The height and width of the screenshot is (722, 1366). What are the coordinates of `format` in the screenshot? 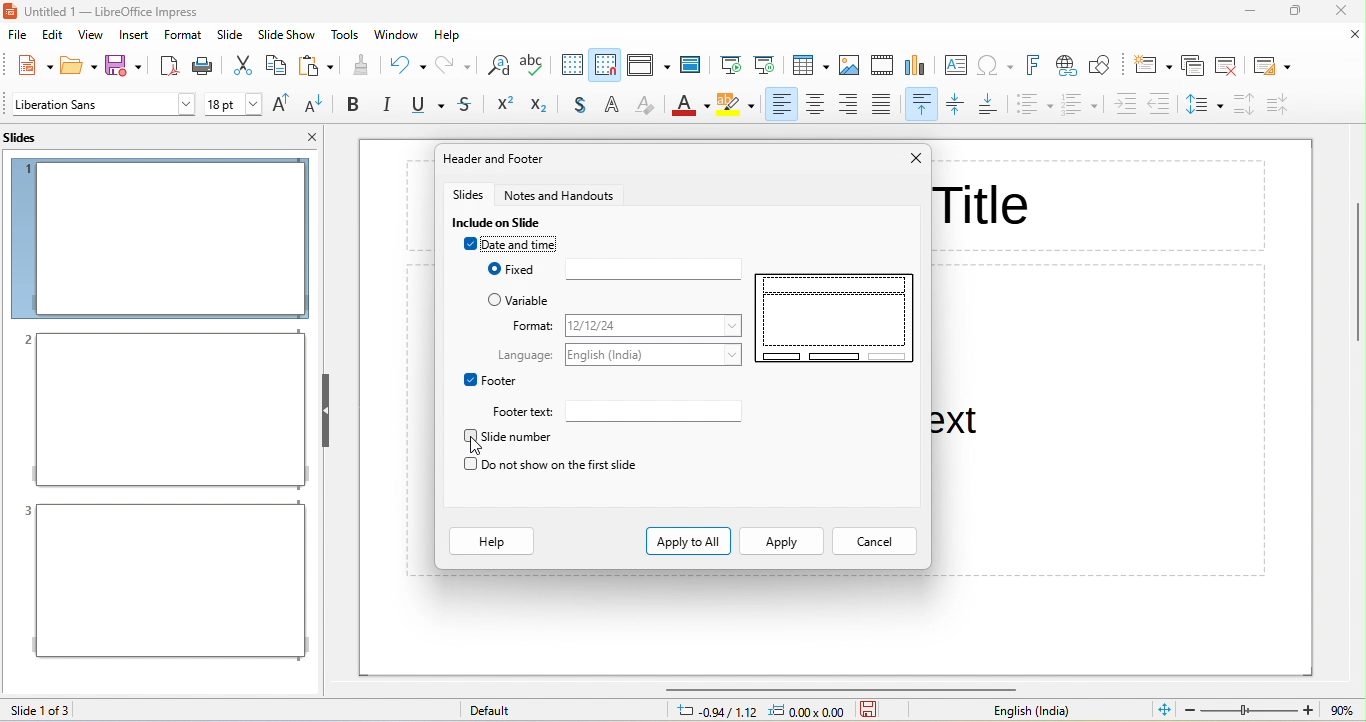 It's located at (183, 34).